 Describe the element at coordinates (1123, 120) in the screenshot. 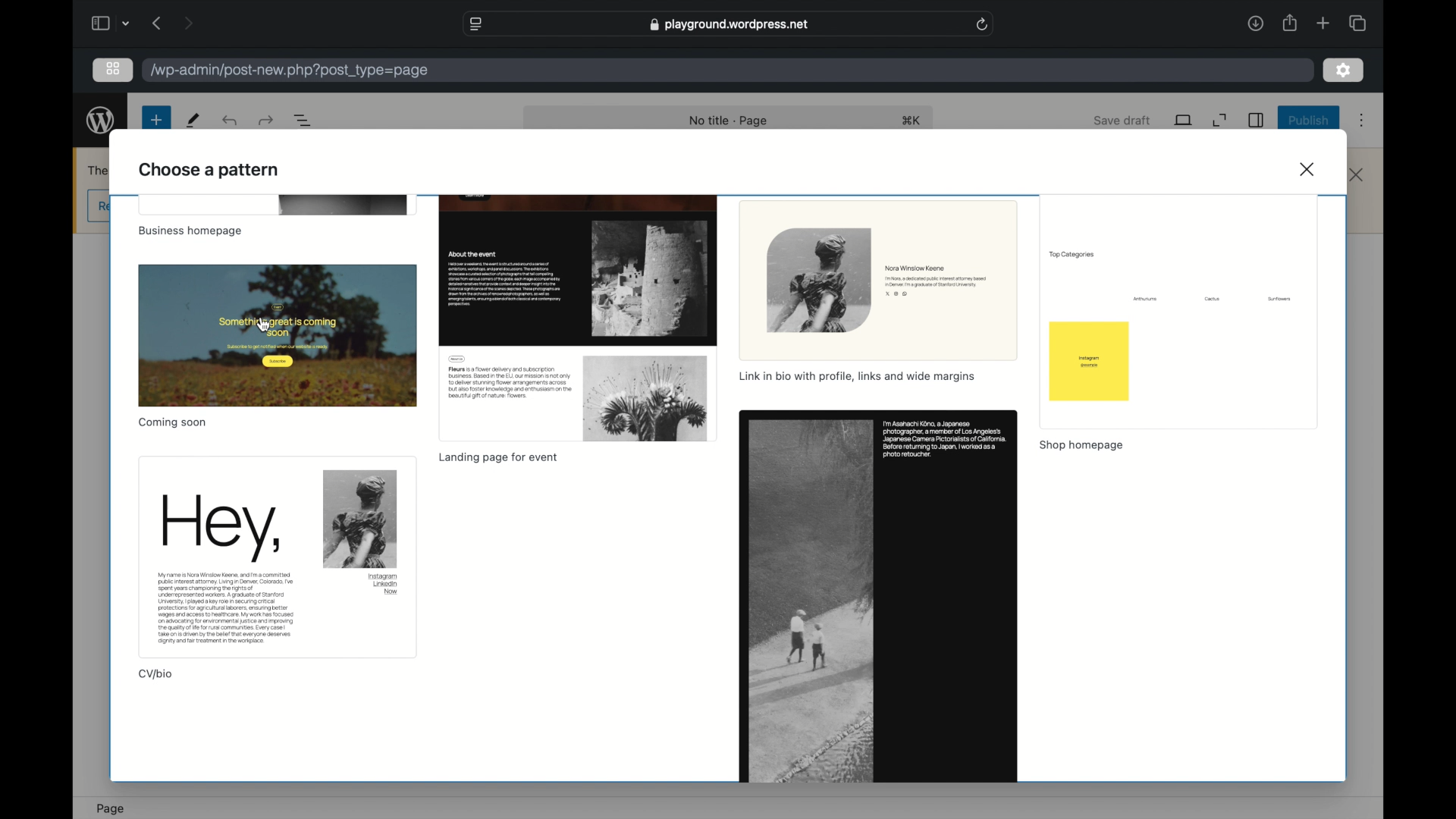

I see `save draft` at that location.